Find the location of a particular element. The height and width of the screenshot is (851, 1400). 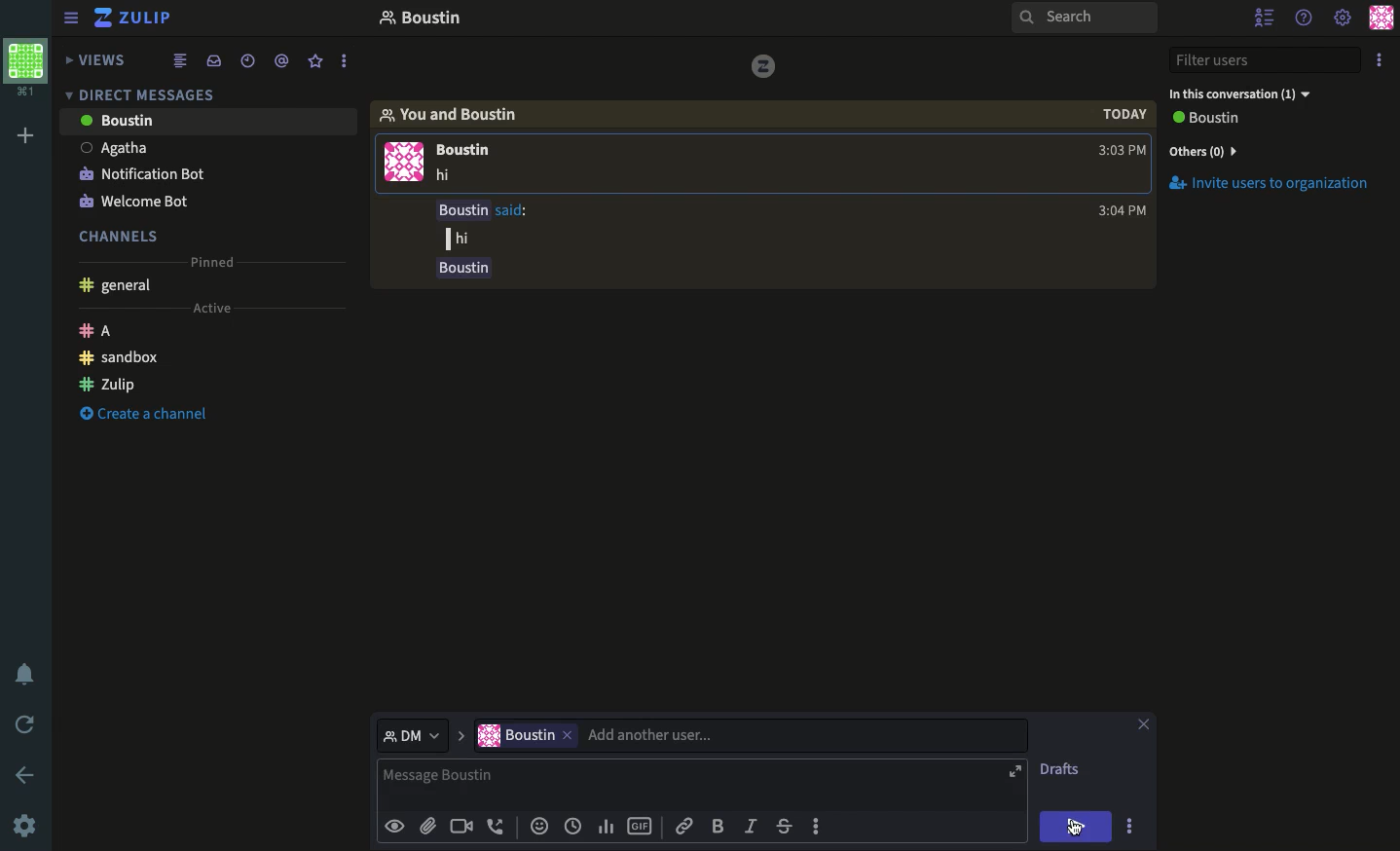

Phone call is located at coordinates (500, 827).